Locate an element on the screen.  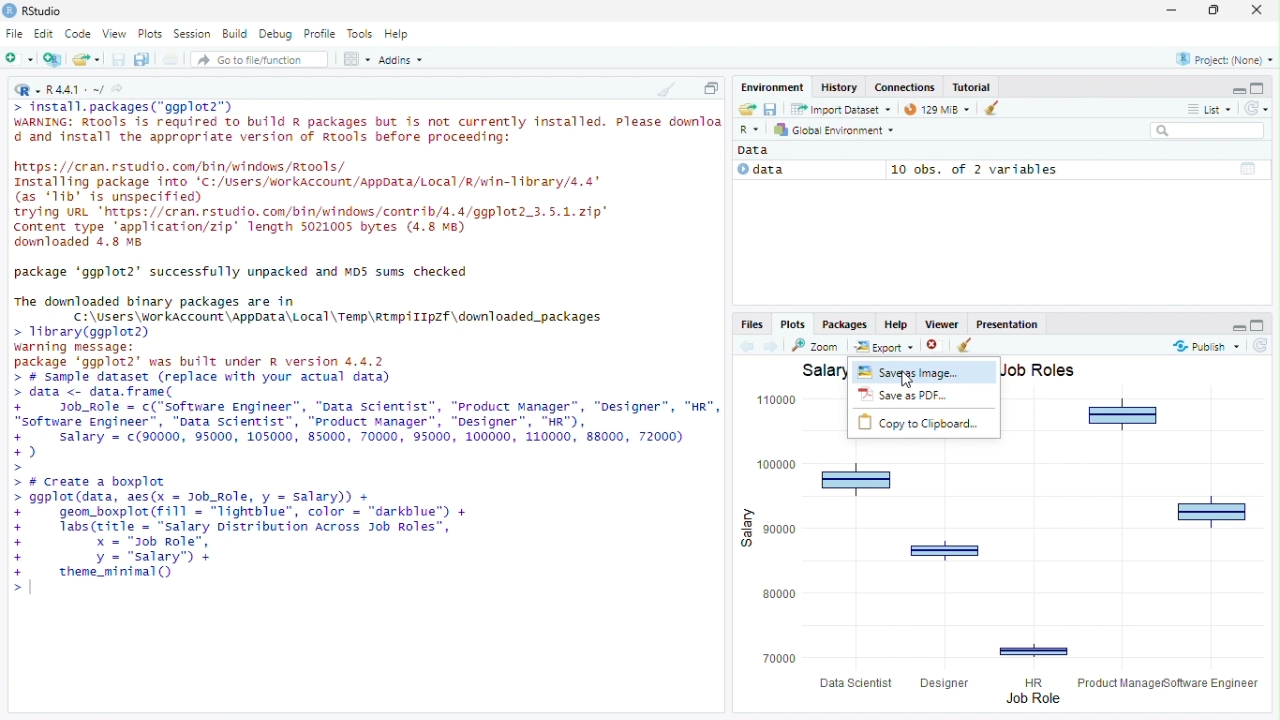
previous topic is located at coordinates (745, 347).